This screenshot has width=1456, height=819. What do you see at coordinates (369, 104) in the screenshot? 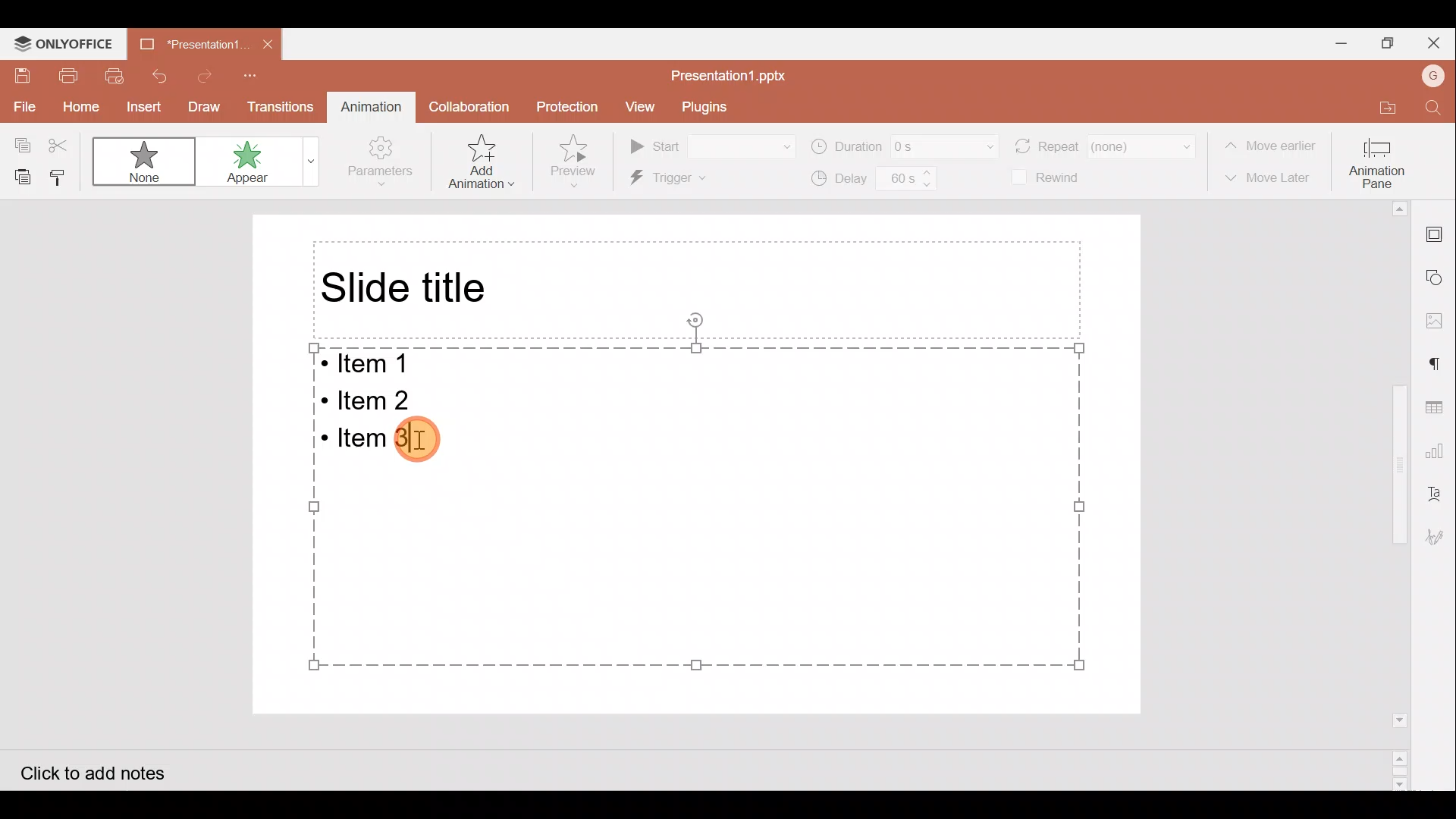
I see `Animation` at bounding box center [369, 104].